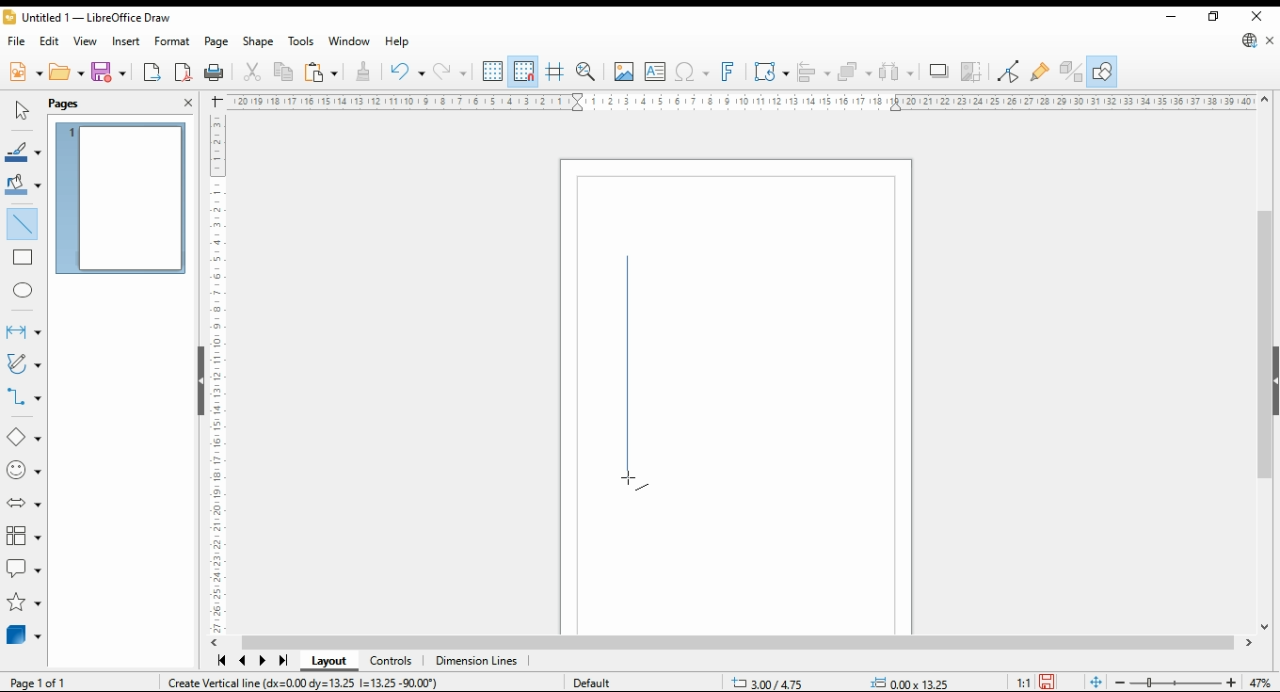 This screenshot has width=1280, height=692. I want to click on clone formatting, so click(362, 70).